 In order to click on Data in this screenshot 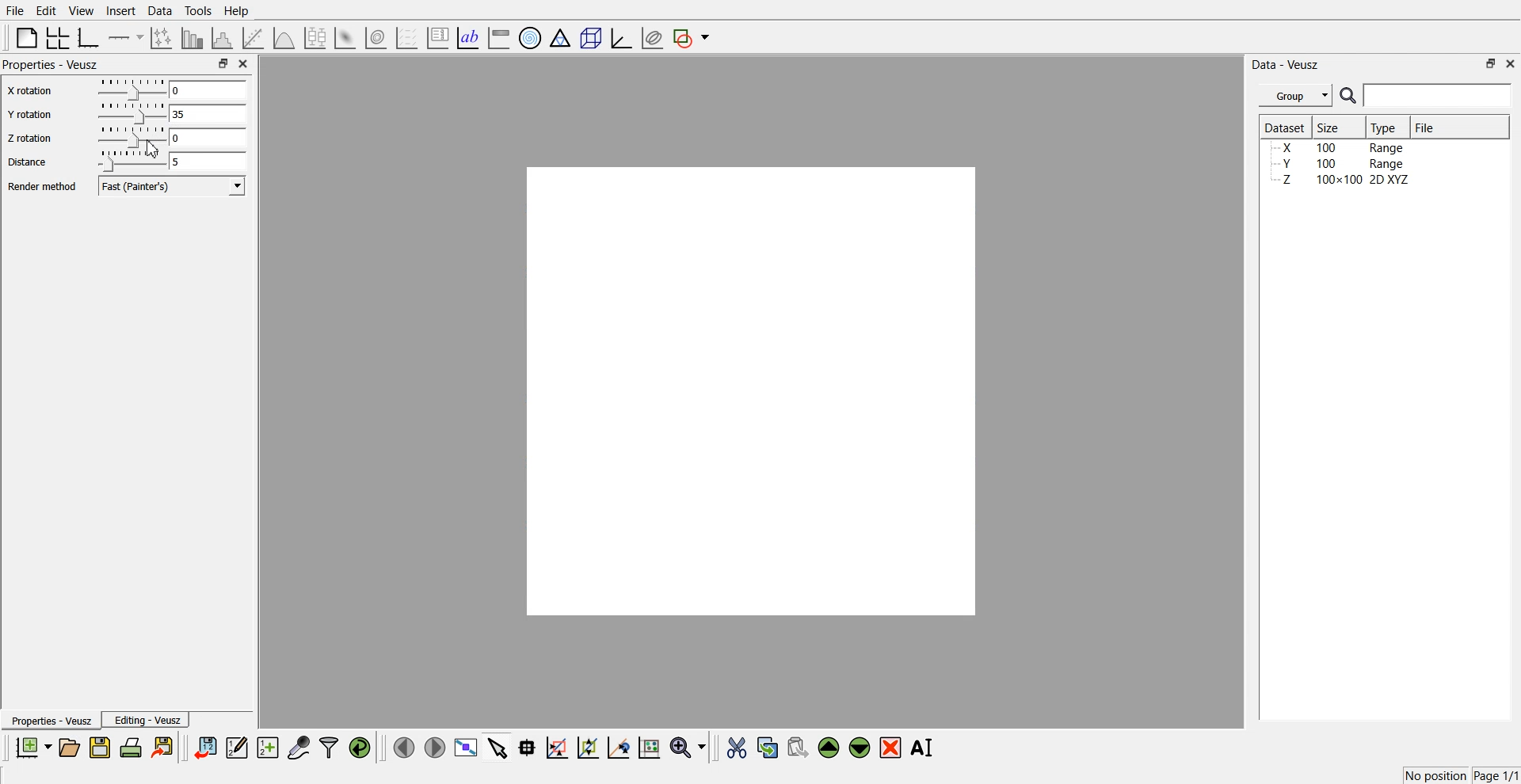, I will do `click(162, 11)`.